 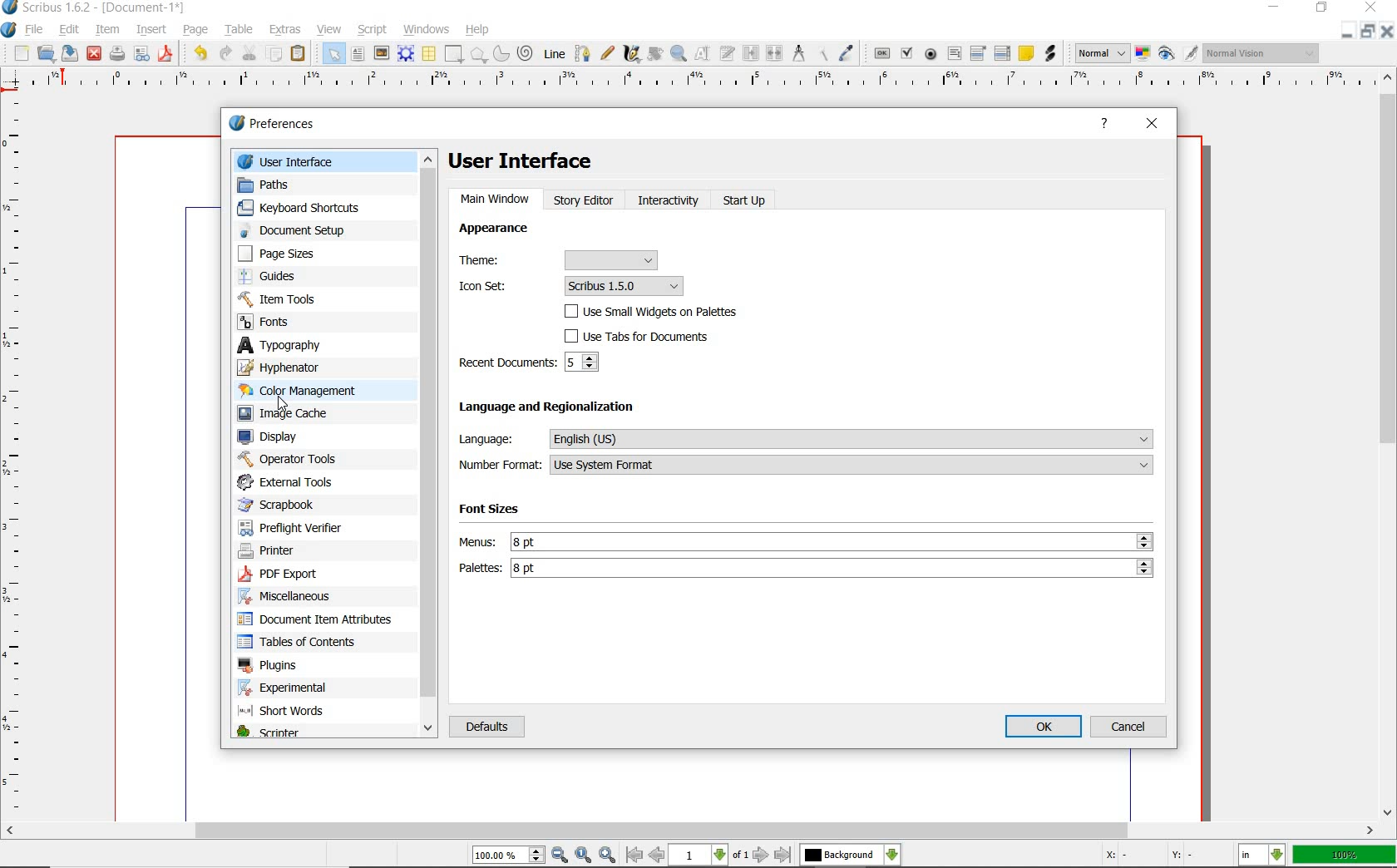 What do you see at coordinates (526, 362) in the screenshot?
I see `RECENT DOCUMENTS` at bounding box center [526, 362].